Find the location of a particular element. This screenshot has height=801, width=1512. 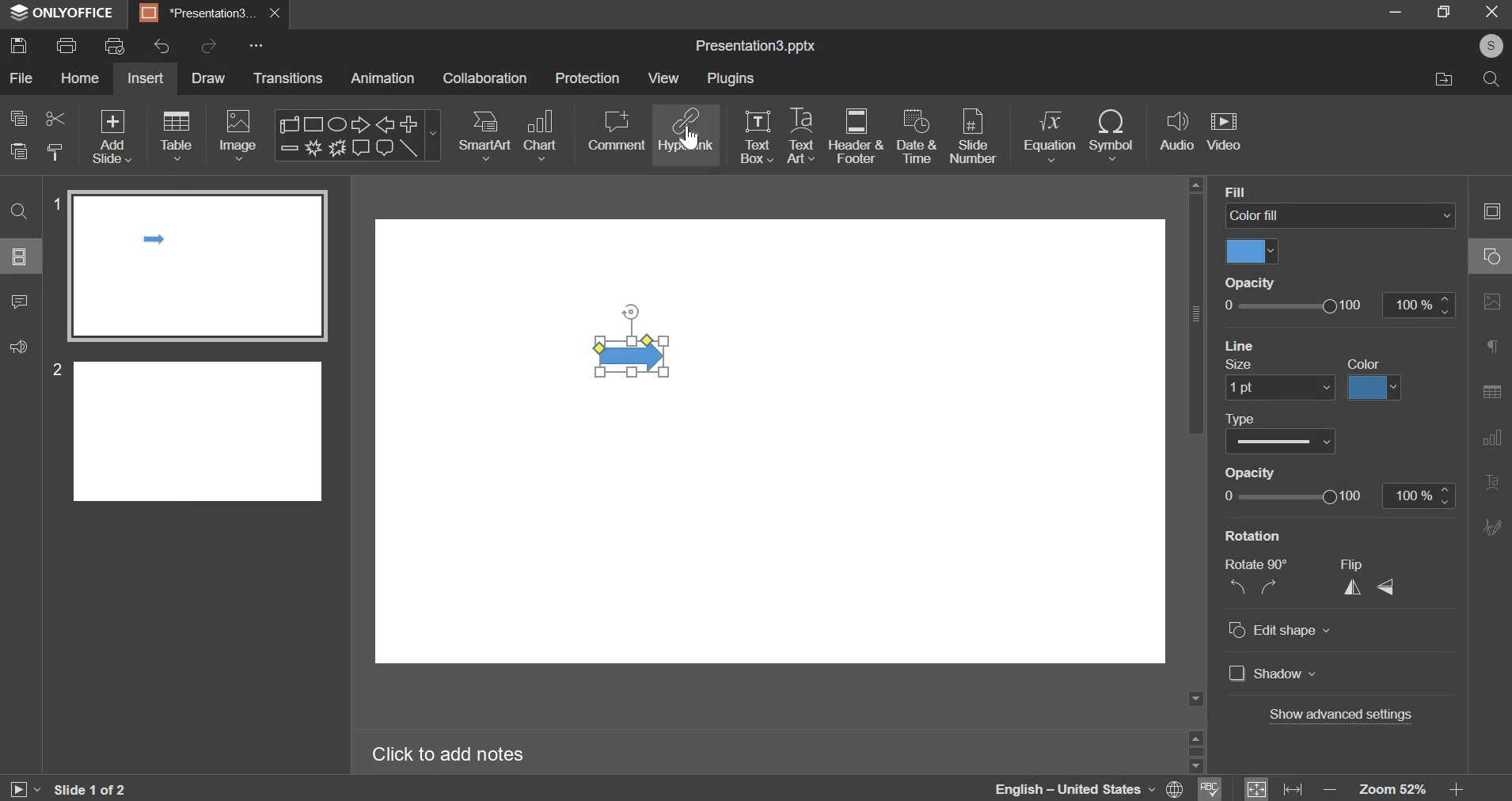

Scroll up is located at coordinates (1195, 184).